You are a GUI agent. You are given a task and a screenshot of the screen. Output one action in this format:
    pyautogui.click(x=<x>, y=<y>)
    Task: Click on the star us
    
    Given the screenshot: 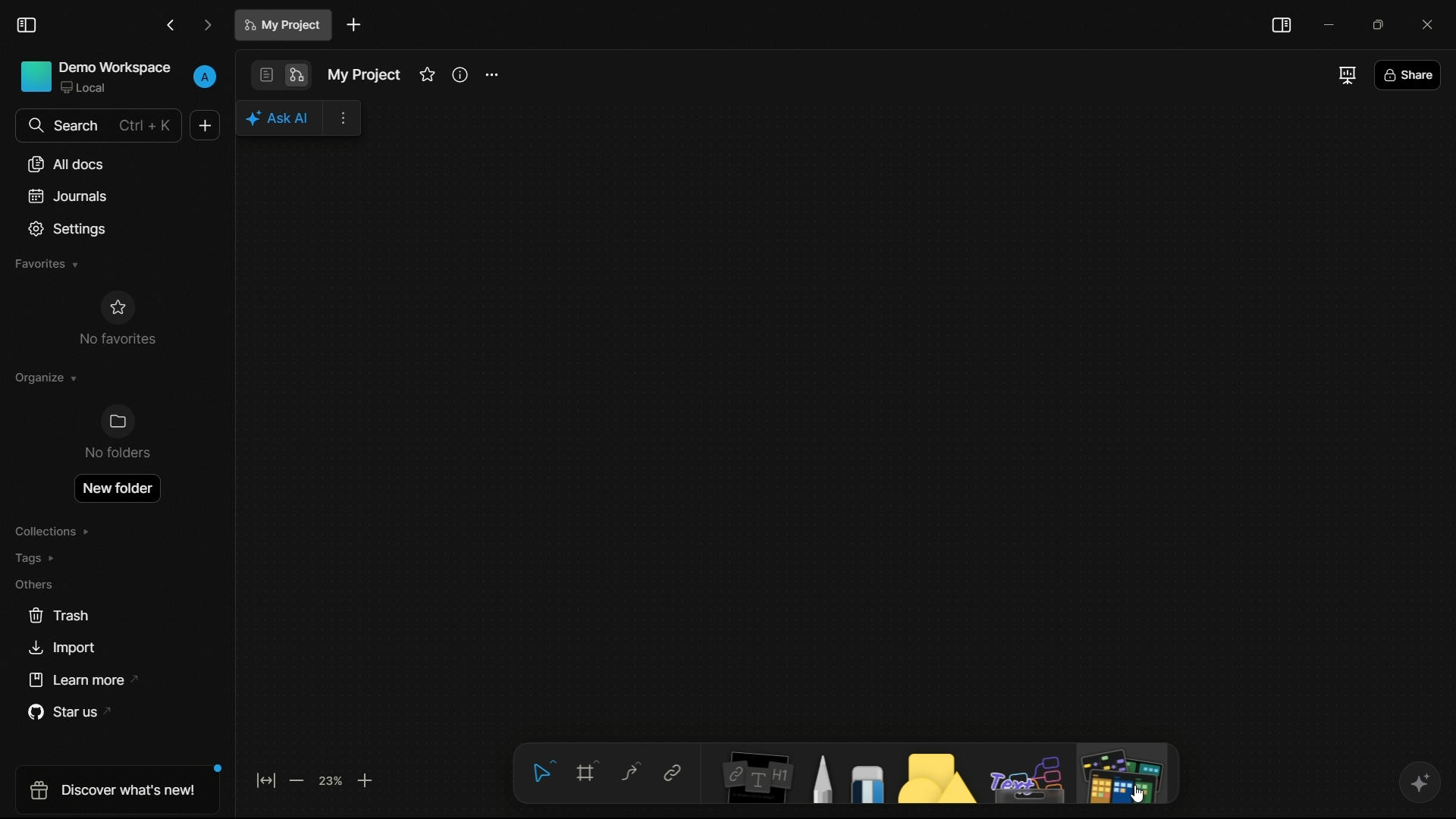 What is the action you would take?
    pyautogui.click(x=74, y=713)
    